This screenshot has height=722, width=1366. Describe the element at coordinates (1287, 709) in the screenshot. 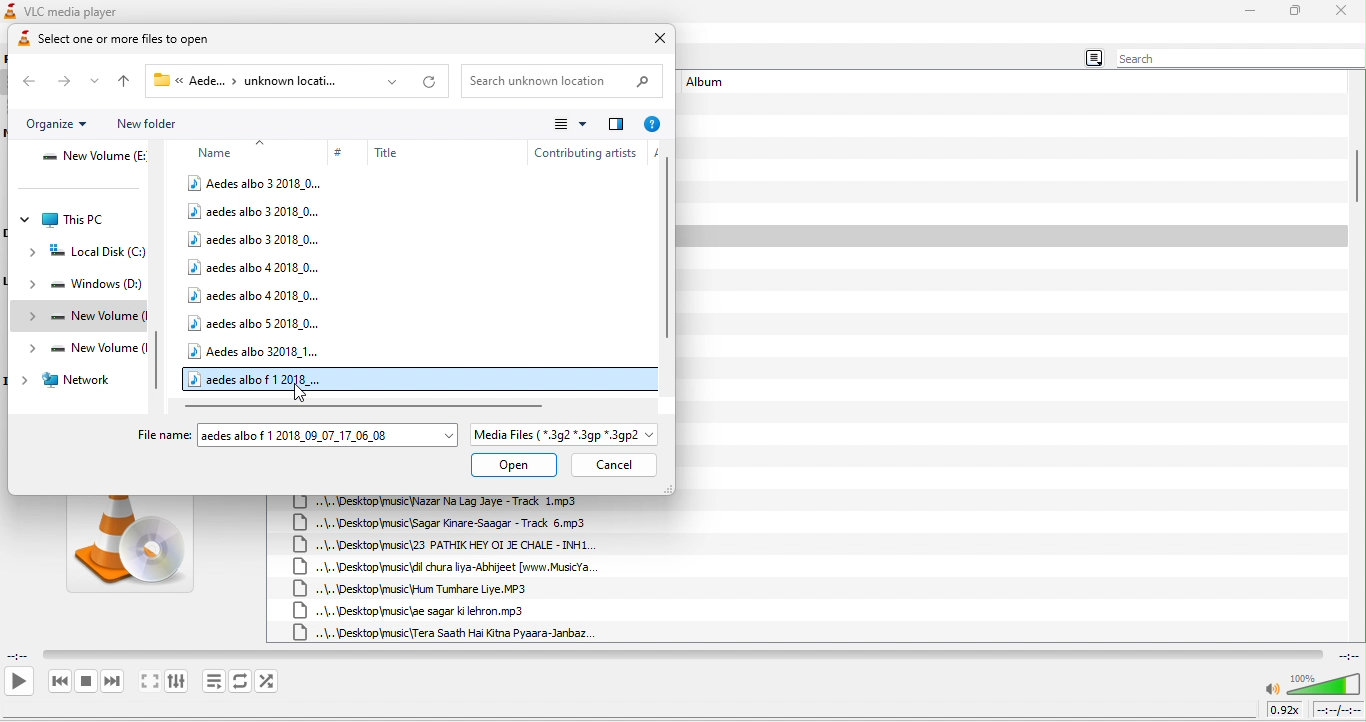

I see `0.92x` at that location.